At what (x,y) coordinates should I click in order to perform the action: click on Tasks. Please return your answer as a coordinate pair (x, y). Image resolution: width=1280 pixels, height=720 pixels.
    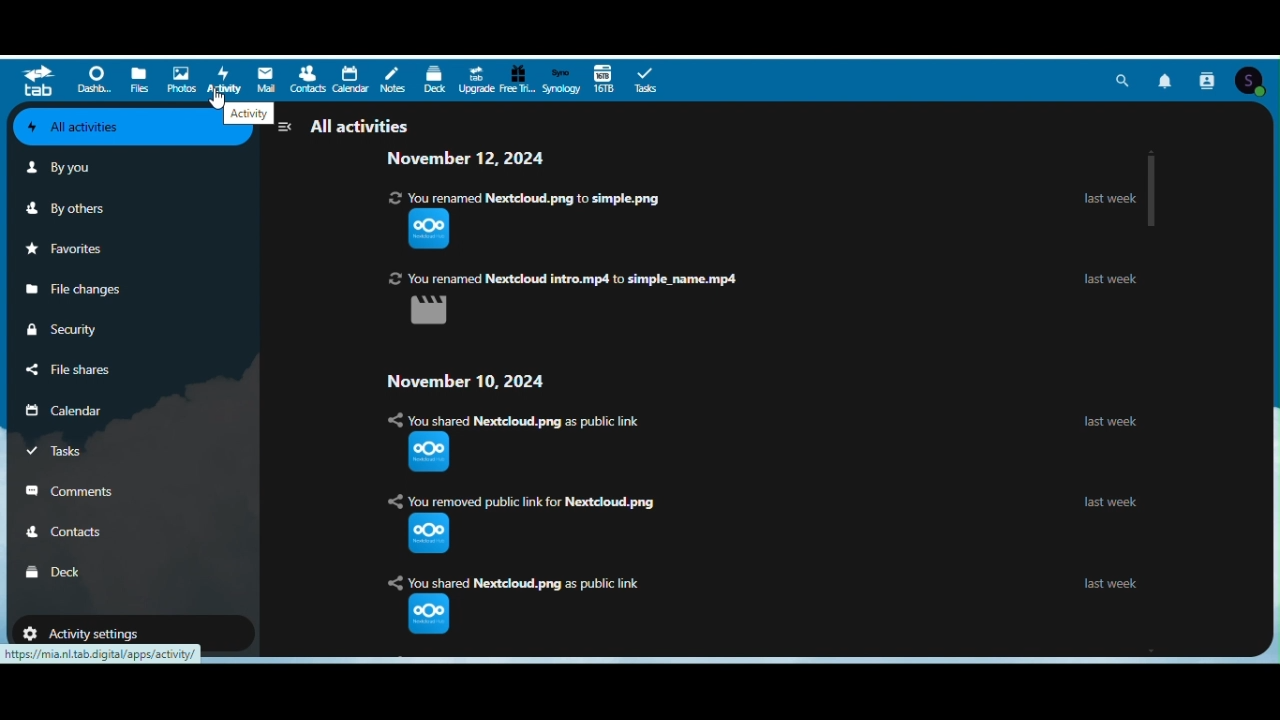
    Looking at the image, I should click on (643, 82).